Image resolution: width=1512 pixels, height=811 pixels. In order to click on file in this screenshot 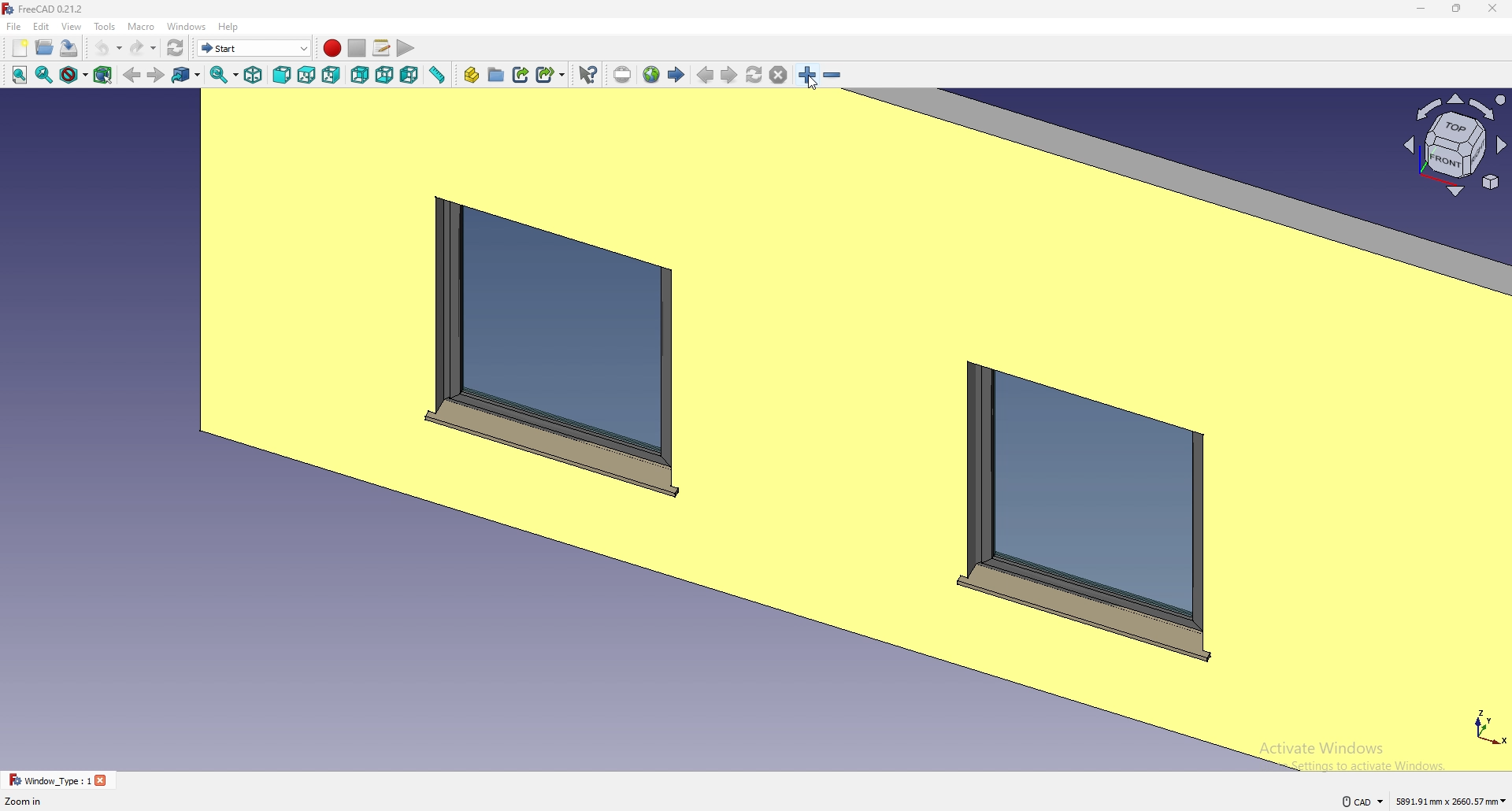, I will do `click(14, 26)`.